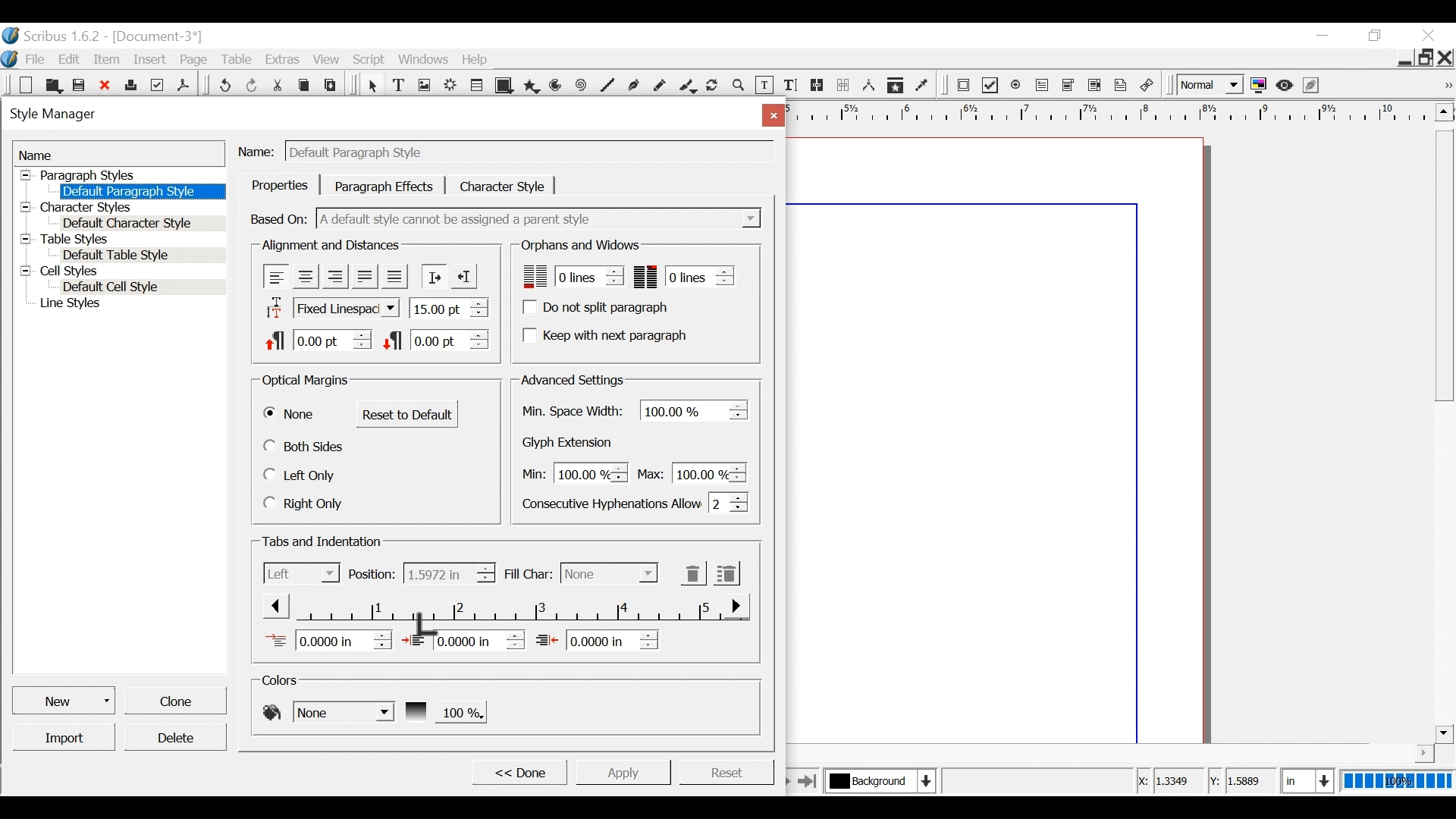 Image resolution: width=1456 pixels, height=819 pixels. What do you see at coordinates (1169, 782) in the screenshot?
I see `X Coordinates` at bounding box center [1169, 782].